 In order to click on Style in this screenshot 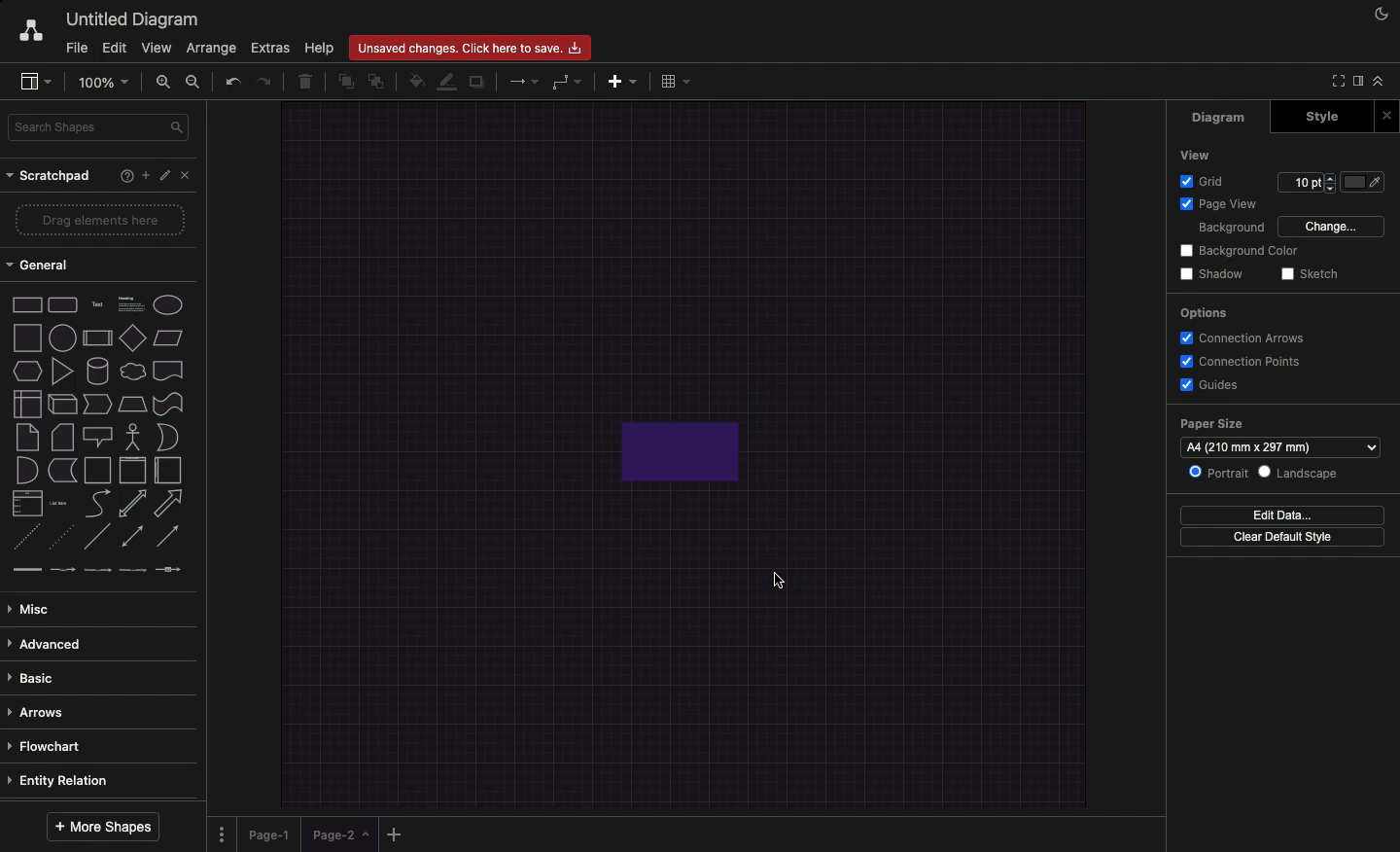, I will do `click(1318, 117)`.